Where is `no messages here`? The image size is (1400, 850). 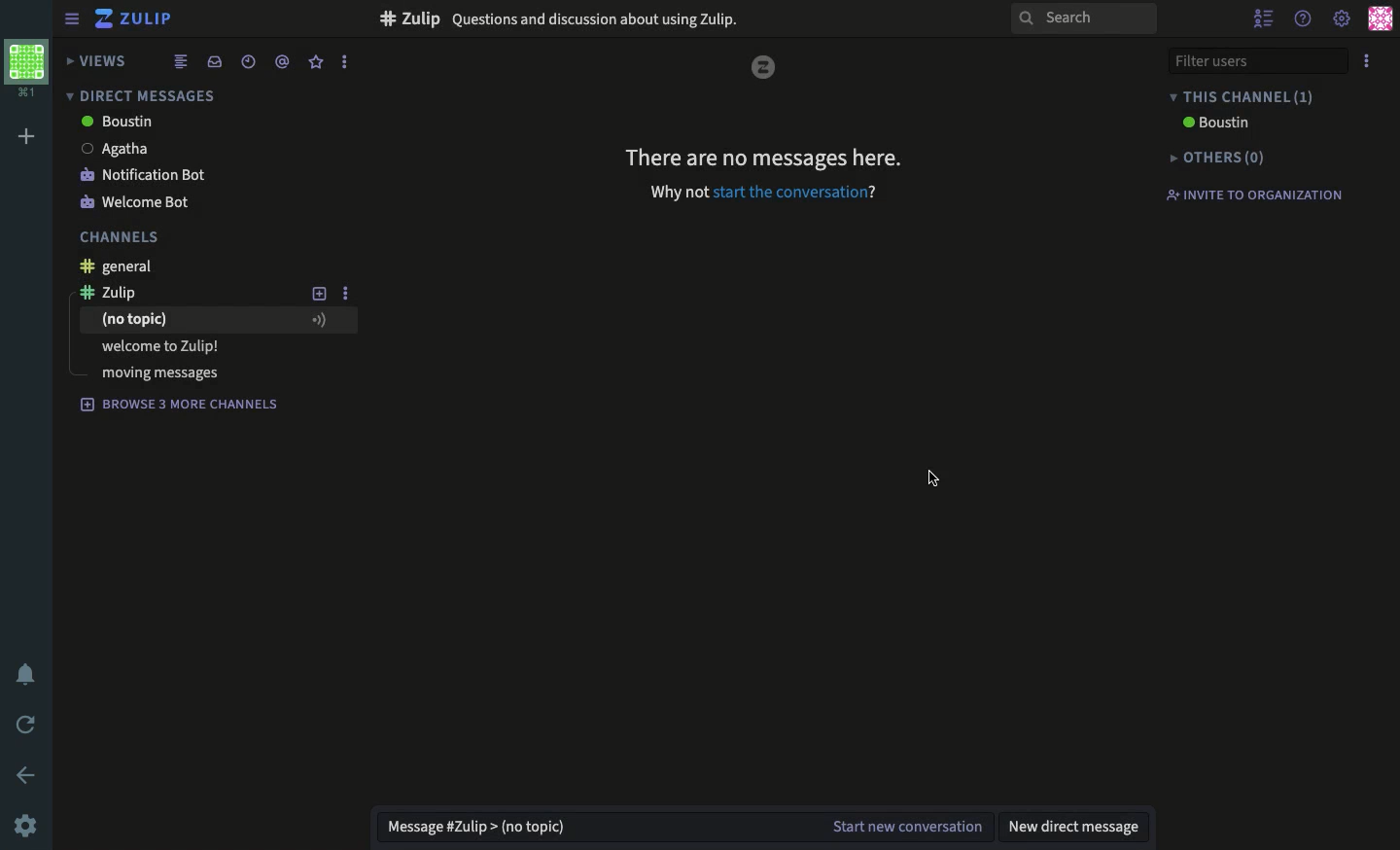 no messages here is located at coordinates (765, 160).